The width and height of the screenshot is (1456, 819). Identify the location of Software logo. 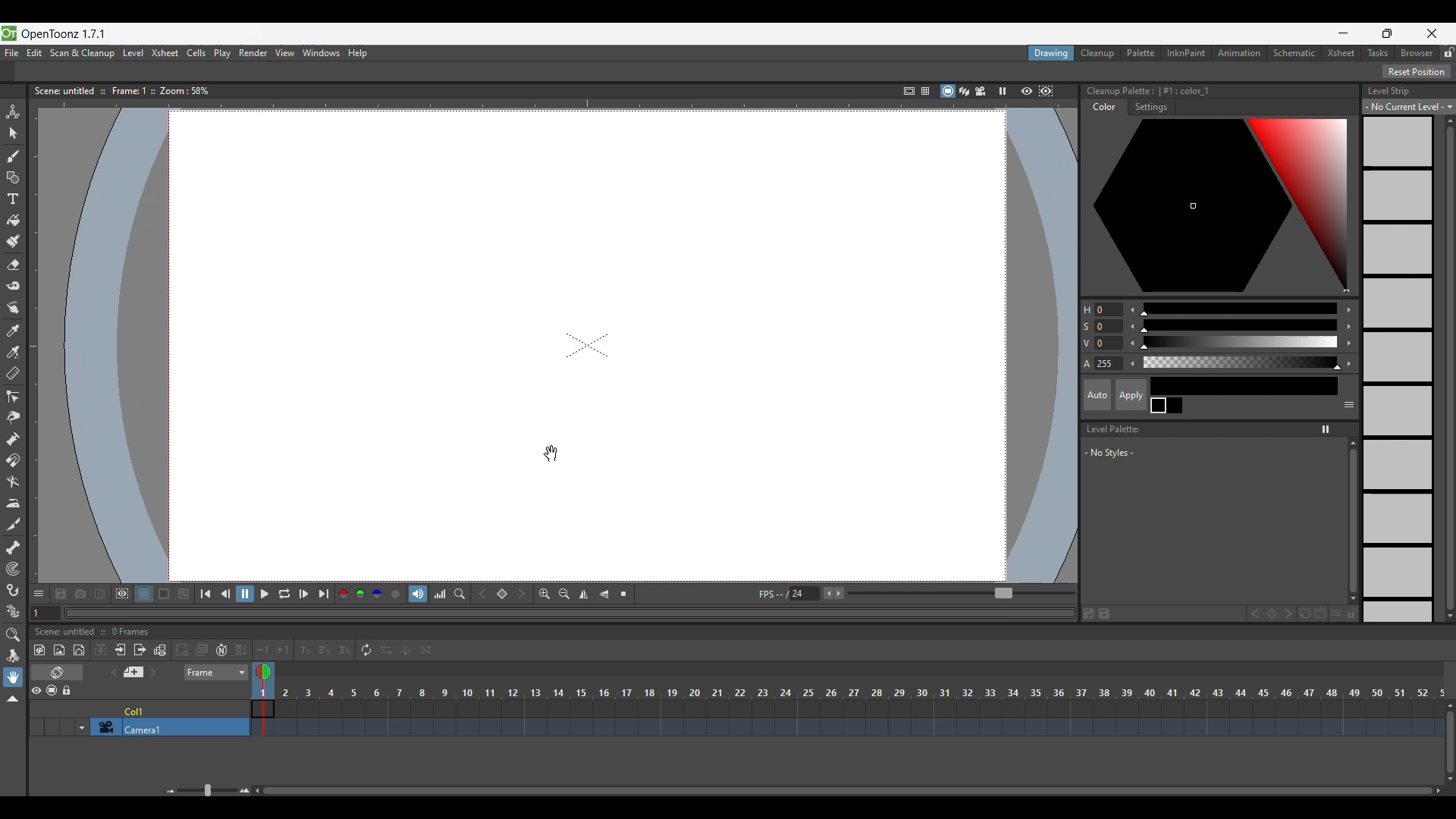
(10, 33).